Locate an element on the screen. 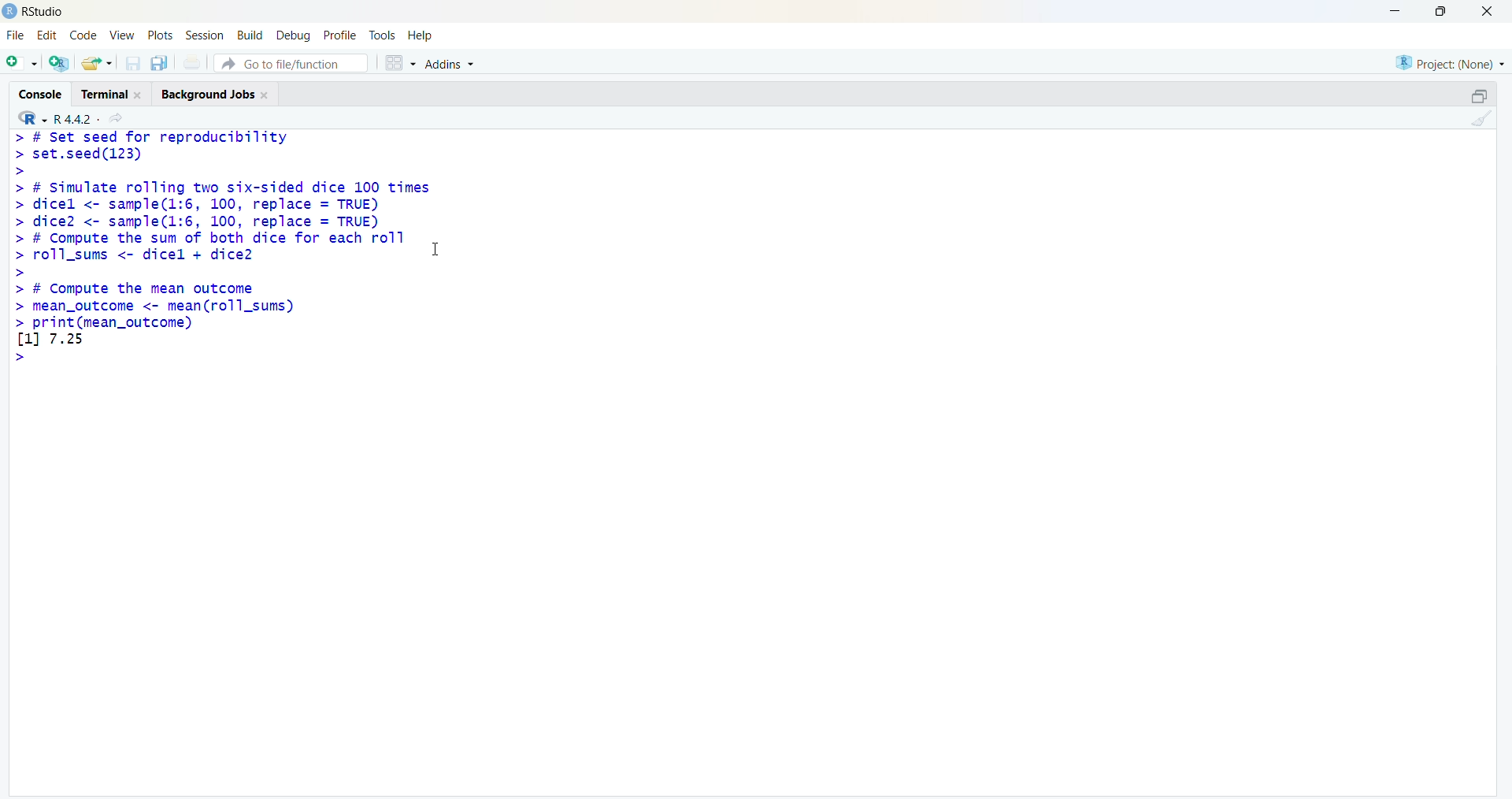 Image resolution: width=1512 pixels, height=799 pixels. close is located at coordinates (266, 95).